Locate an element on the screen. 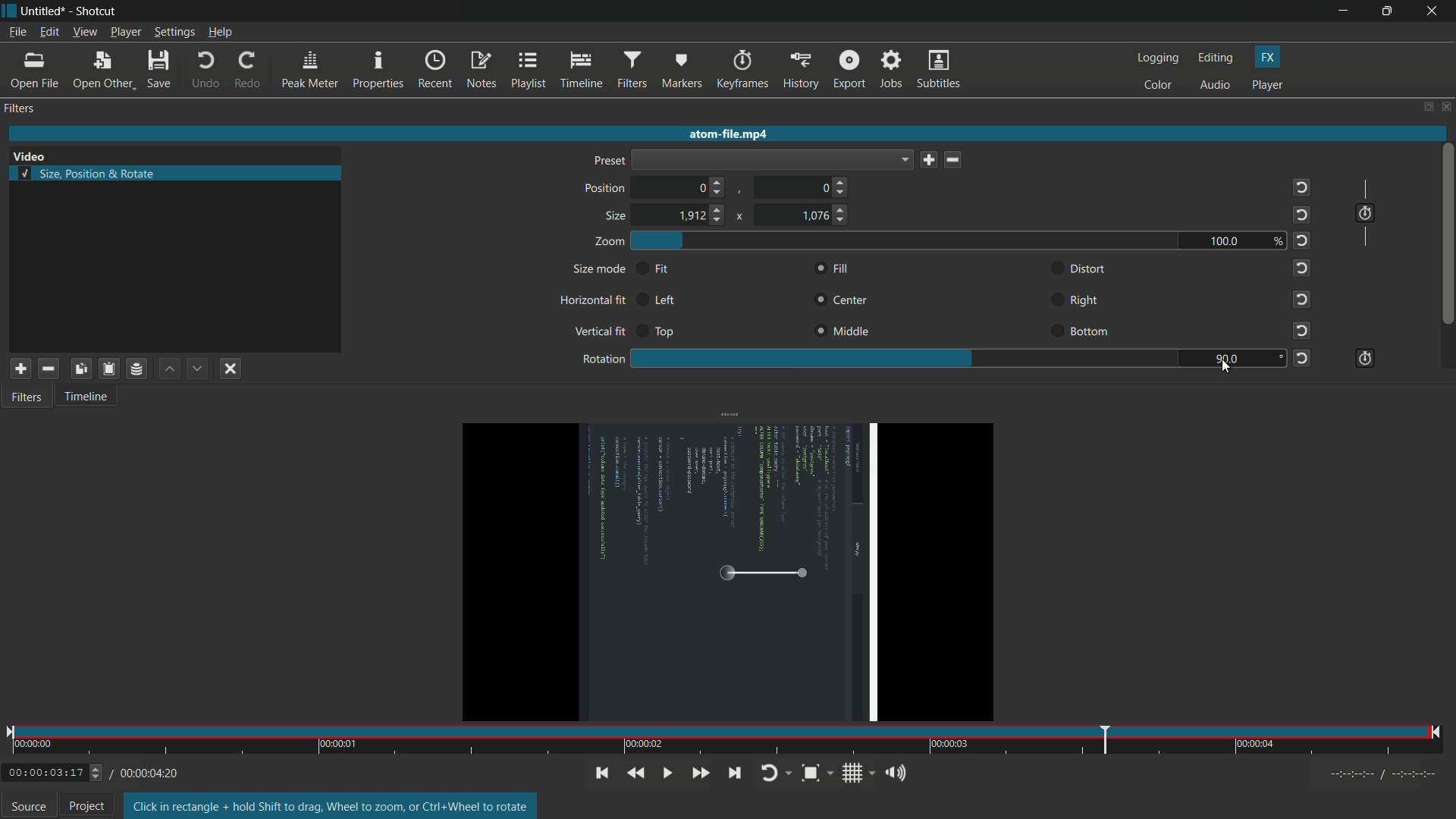  toggle grid is located at coordinates (854, 773).